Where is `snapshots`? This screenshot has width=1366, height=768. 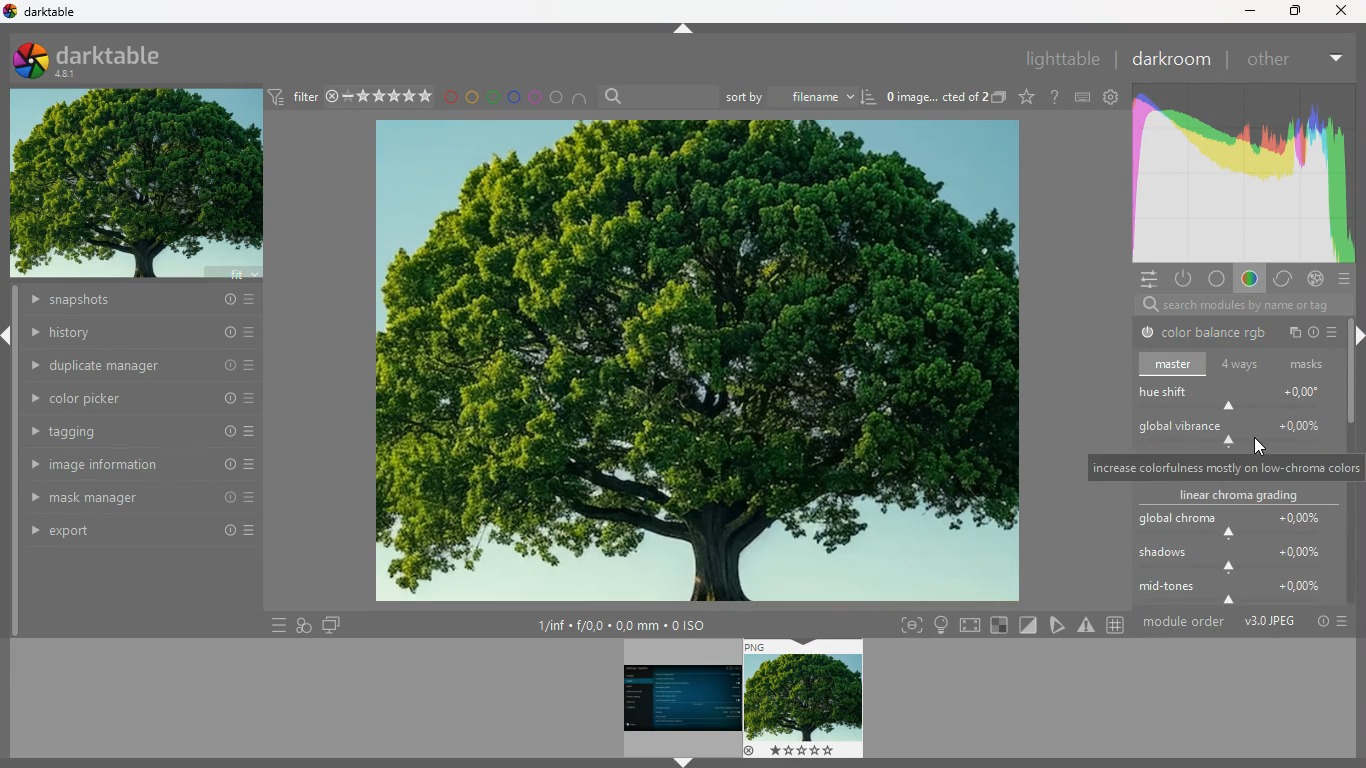
snapshots is located at coordinates (139, 302).